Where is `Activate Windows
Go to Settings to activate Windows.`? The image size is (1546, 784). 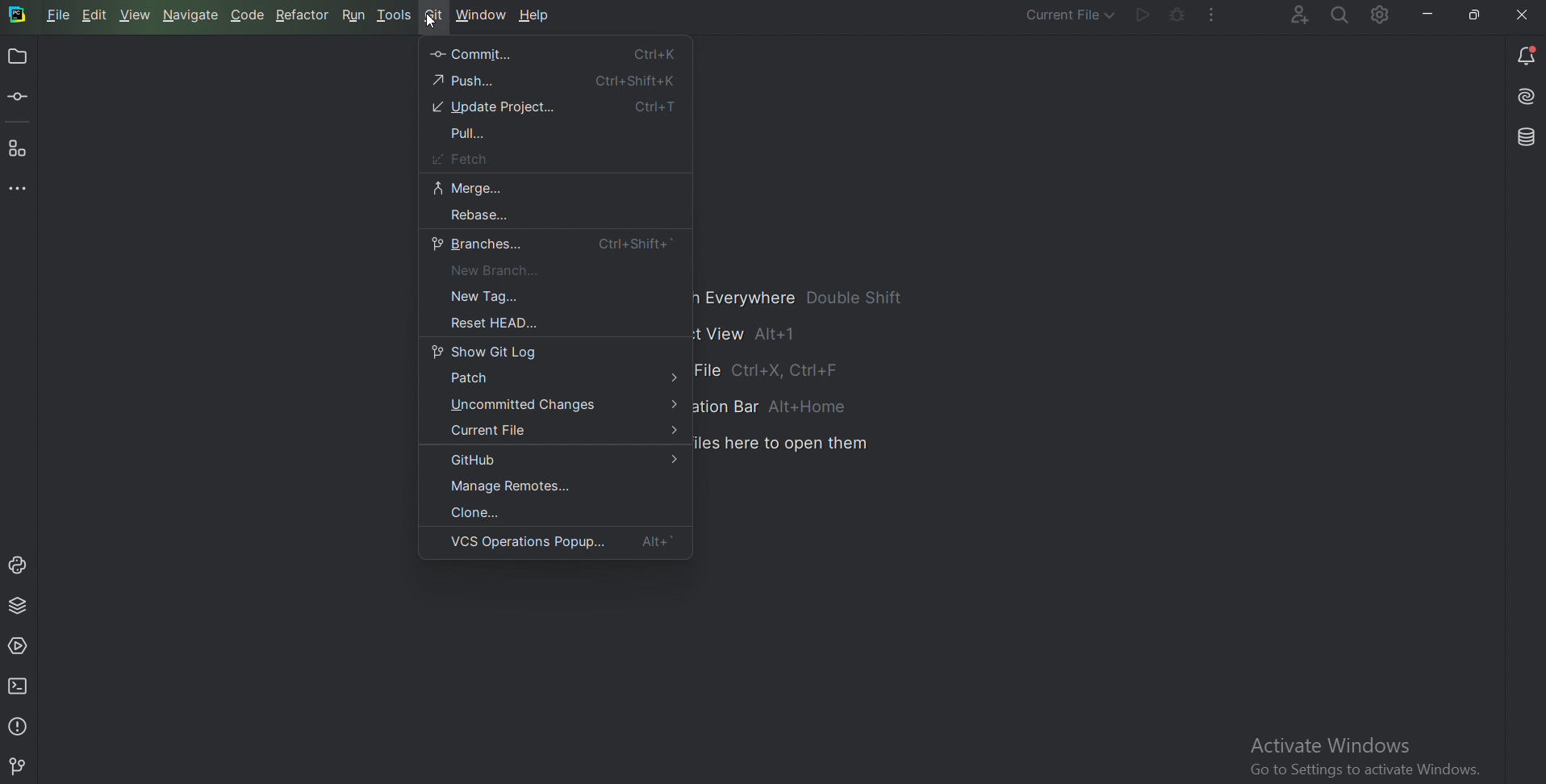
Activate Windows
Go to Settings to activate Windows. is located at coordinates (1367, 755).